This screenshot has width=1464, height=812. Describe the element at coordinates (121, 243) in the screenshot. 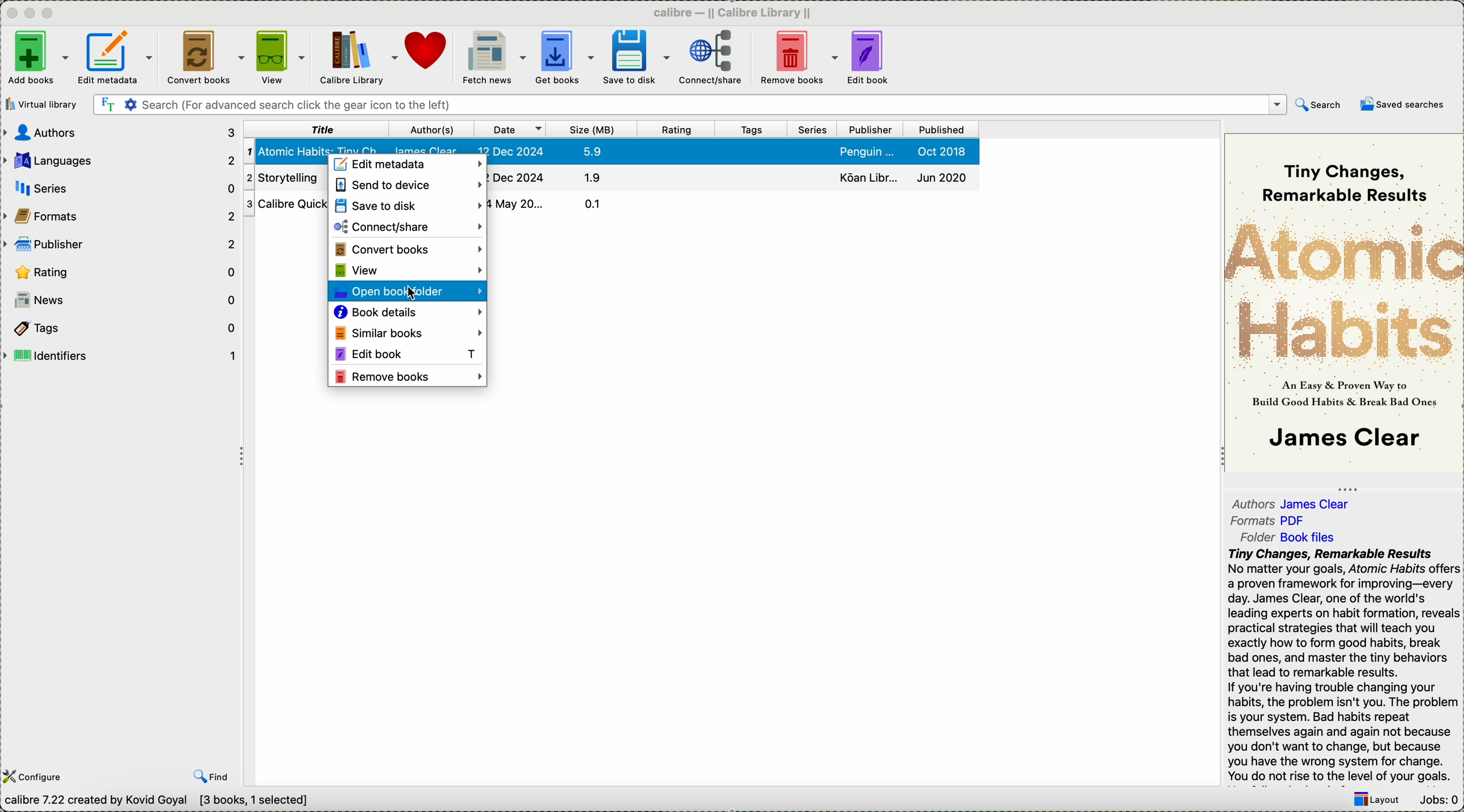

I see `publisher` at that location.